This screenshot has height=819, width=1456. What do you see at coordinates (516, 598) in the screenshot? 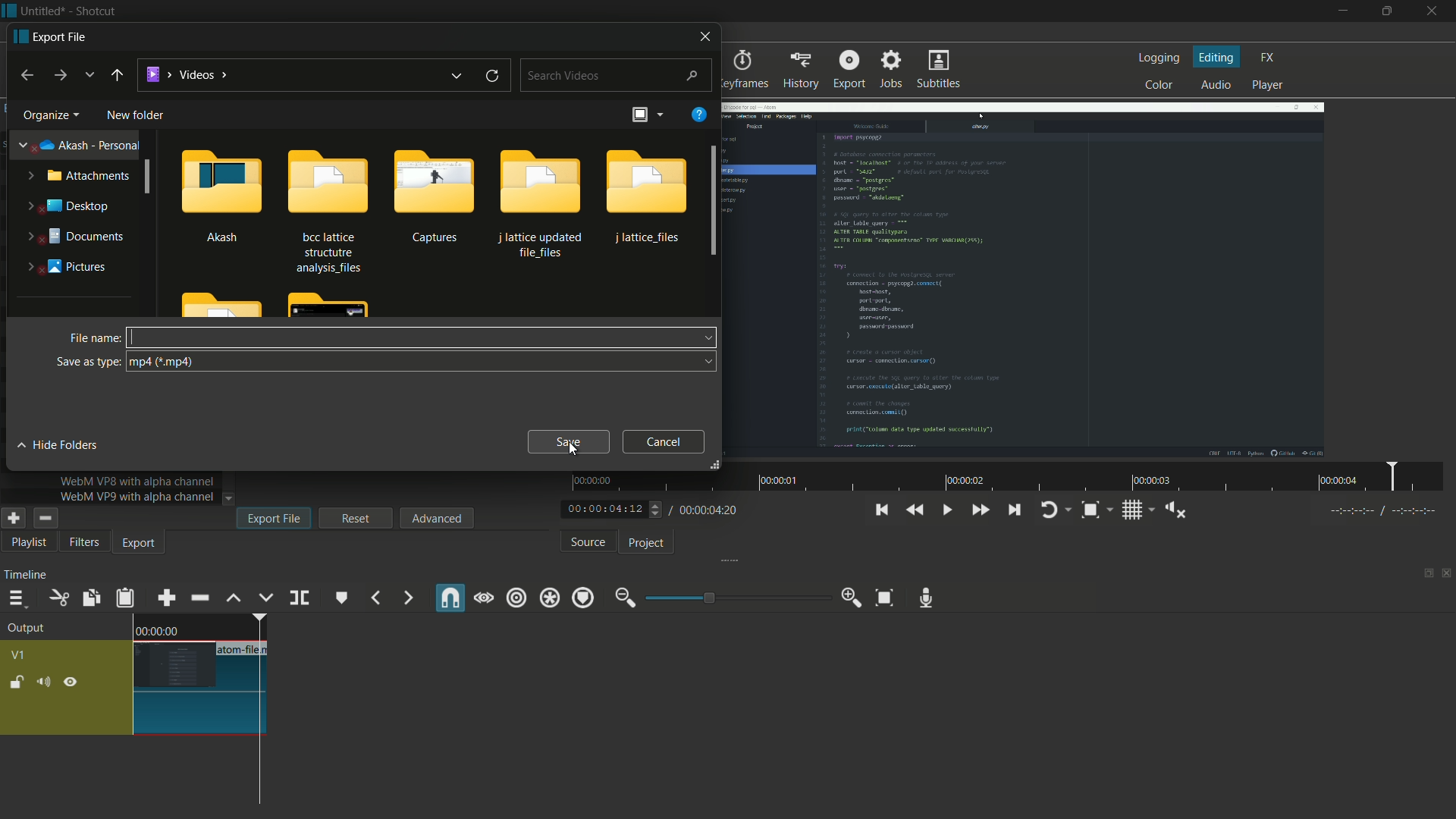
I see `ripple` at bounding box center [516, 598].